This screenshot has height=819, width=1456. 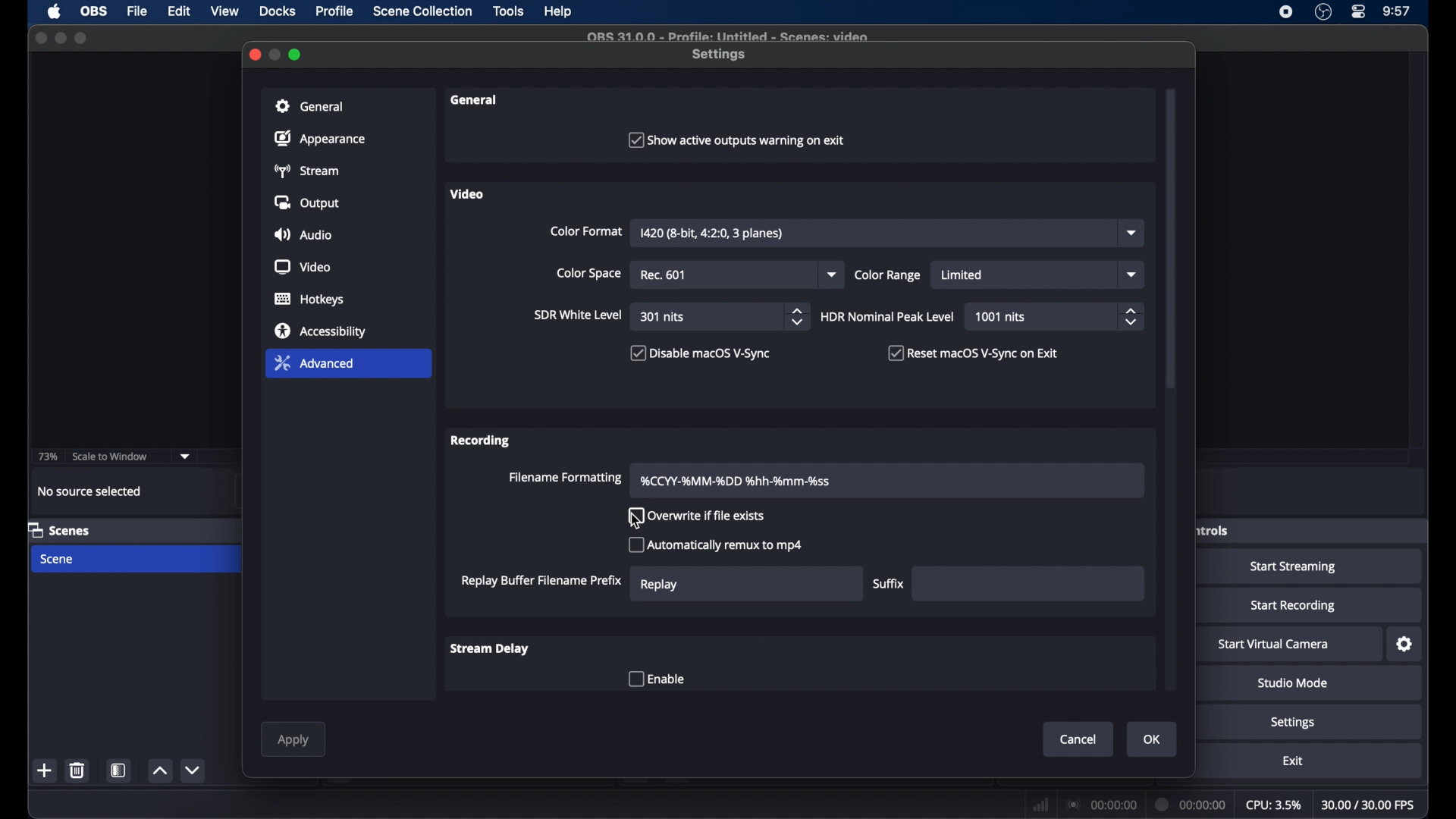 What do you see at coordinates (335, 11) in the screenshot?
I see `profile` at bounding box center [335, 11].